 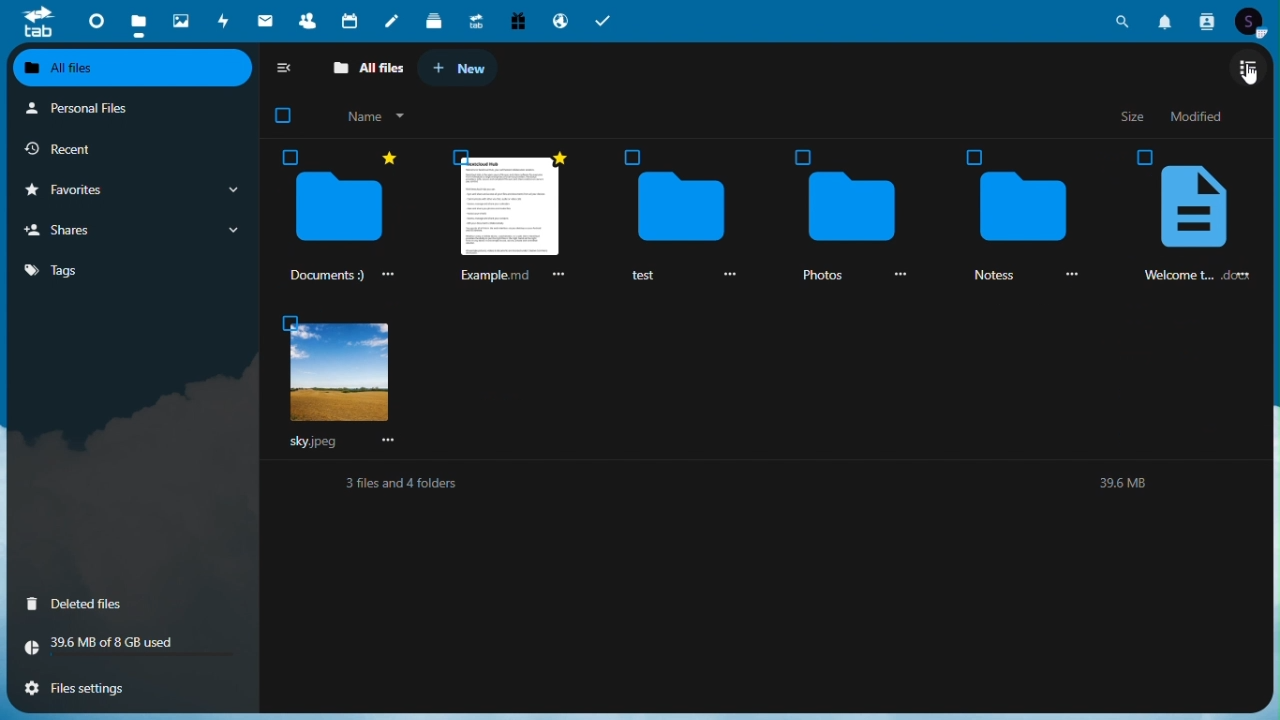 I want to click on checkbox, so click(x=463, y=156).